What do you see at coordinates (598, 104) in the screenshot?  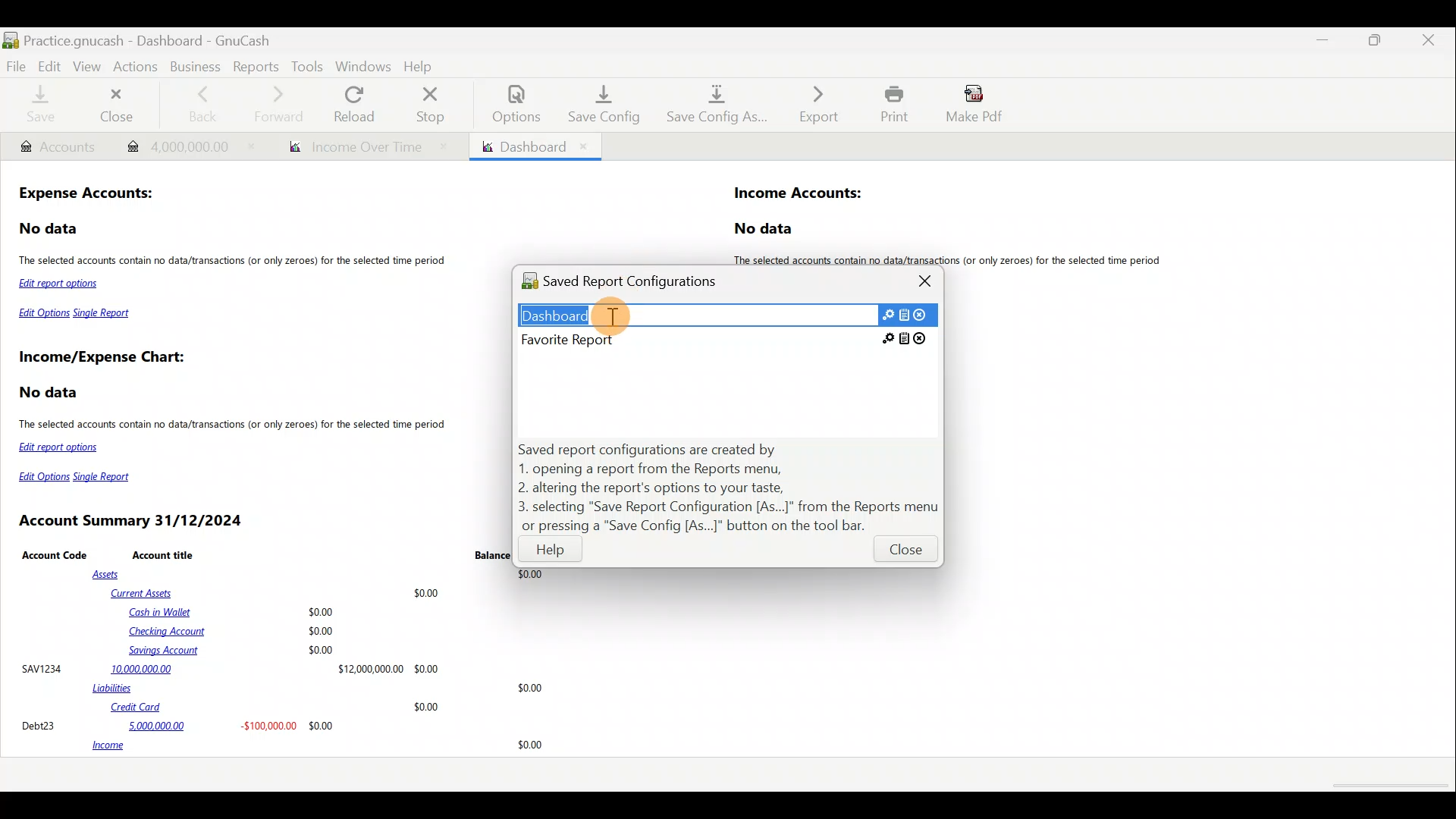 I see `Save config` at bounding box center [598, 104].